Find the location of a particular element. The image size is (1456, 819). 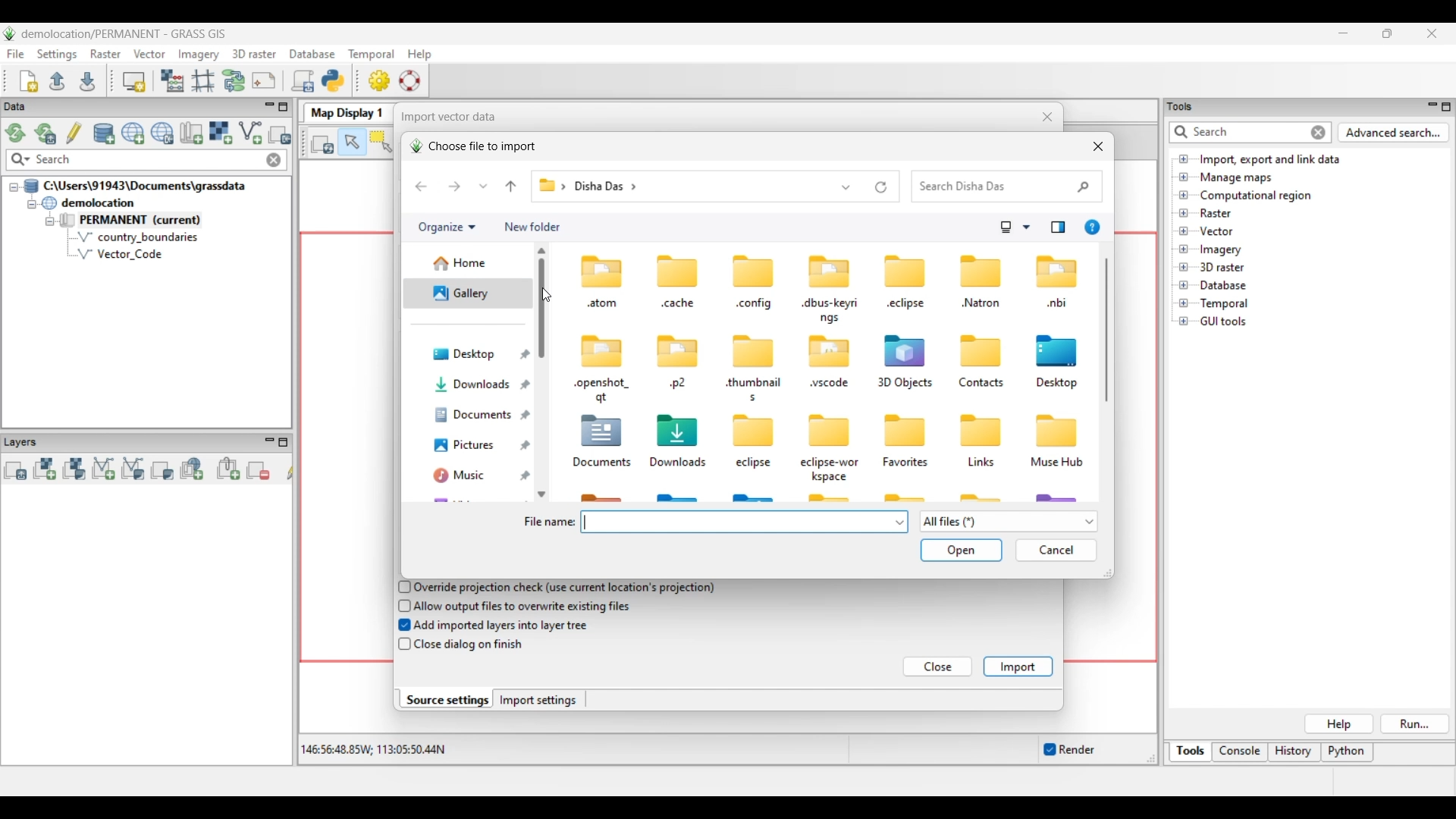

Add multiple vector or raster map layers is located at coordinates (15, 470).